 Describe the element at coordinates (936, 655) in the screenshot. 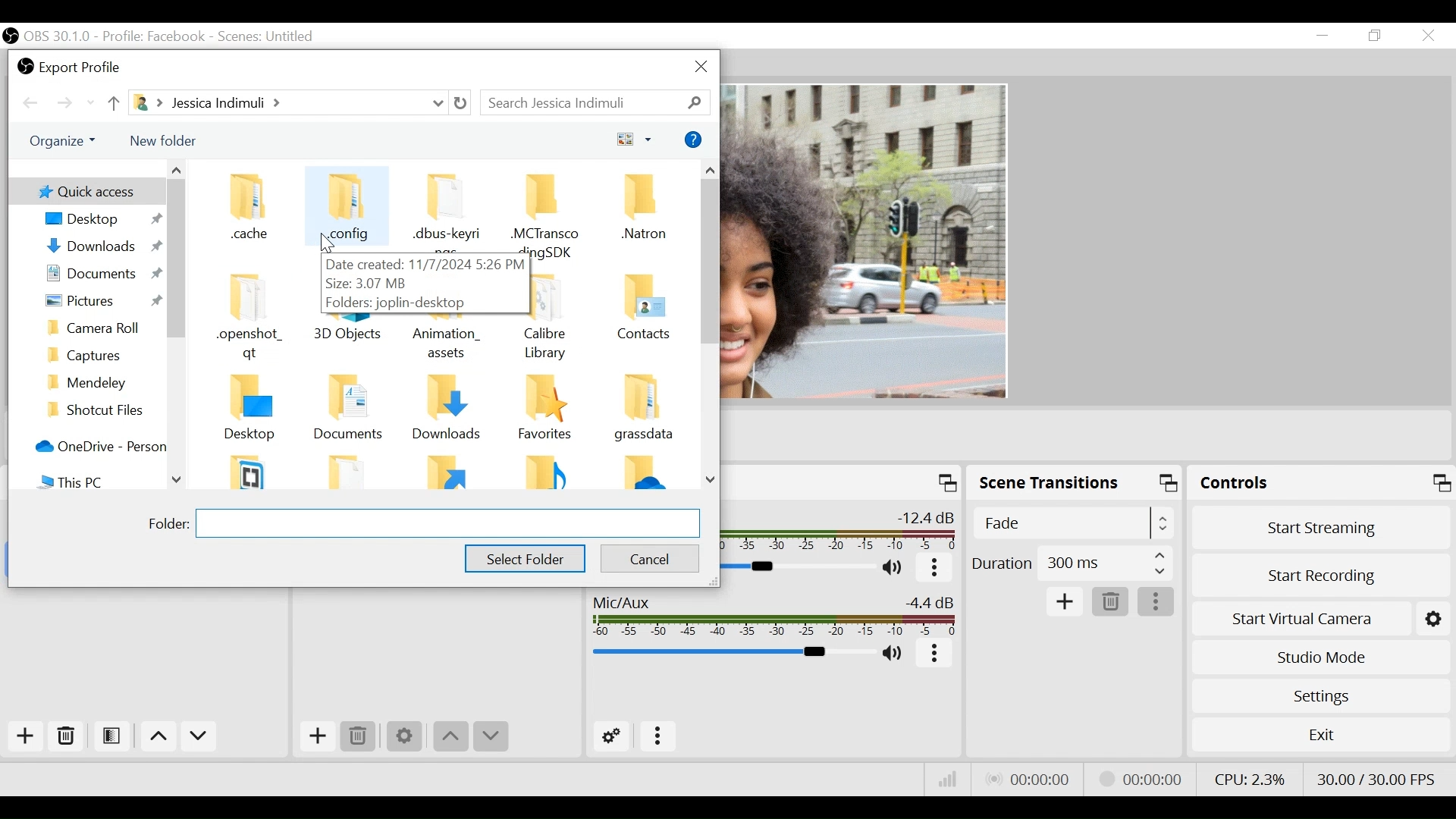

I see `More options` at that location.